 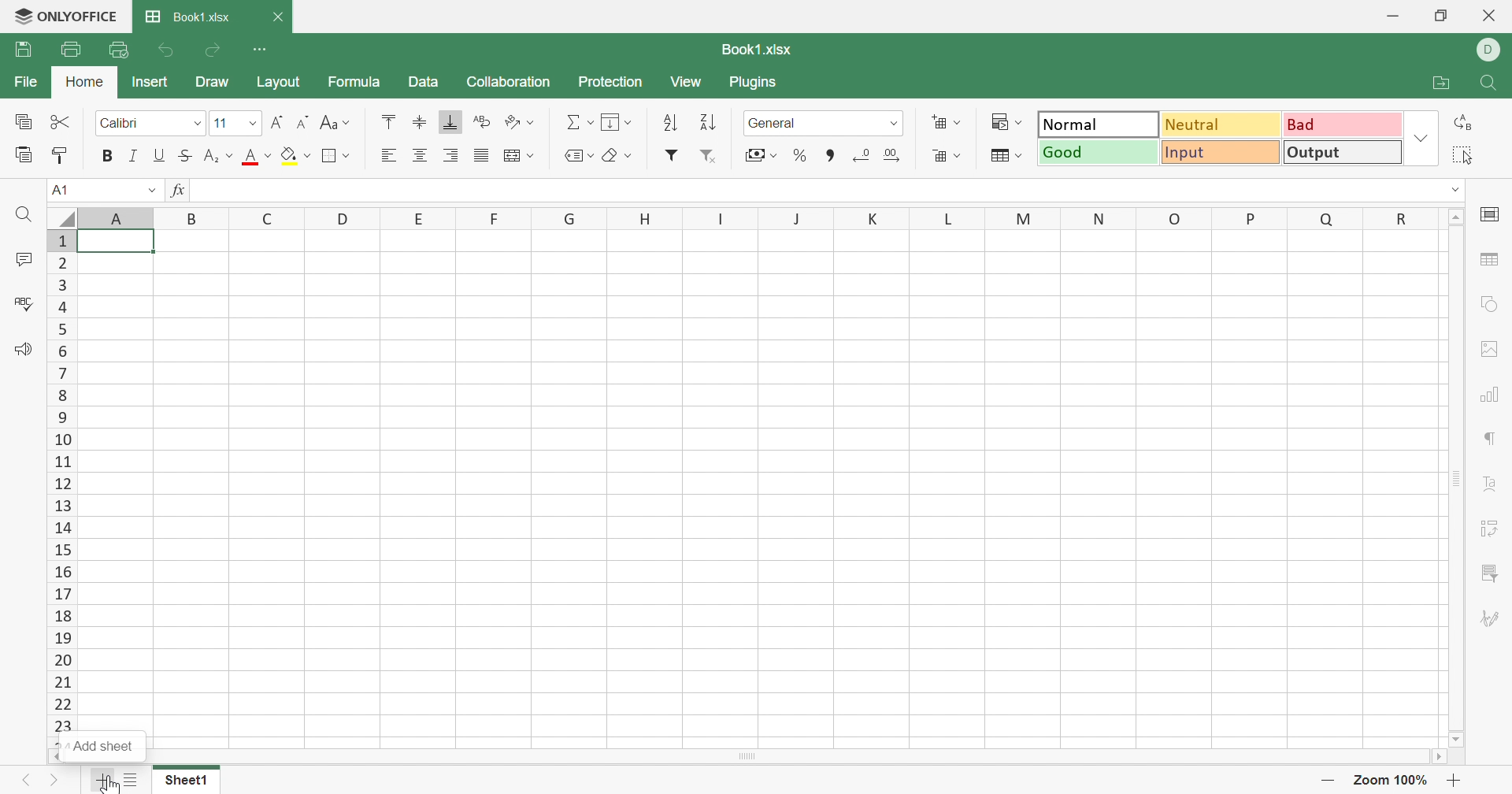 I want to click on 17, so click(x=63, y=596).